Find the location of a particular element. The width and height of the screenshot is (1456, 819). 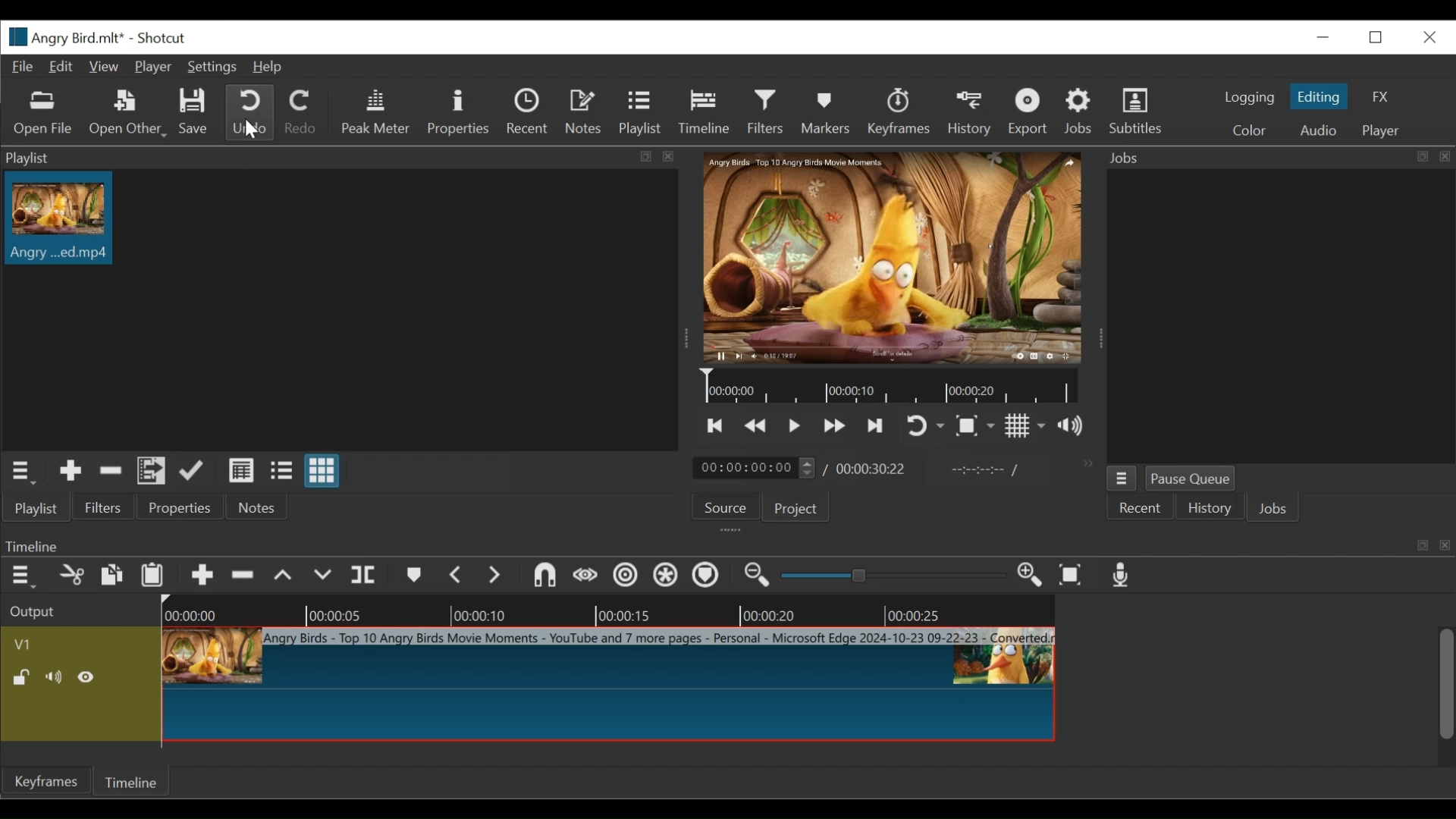

color is located at coordinates (1248, 131).